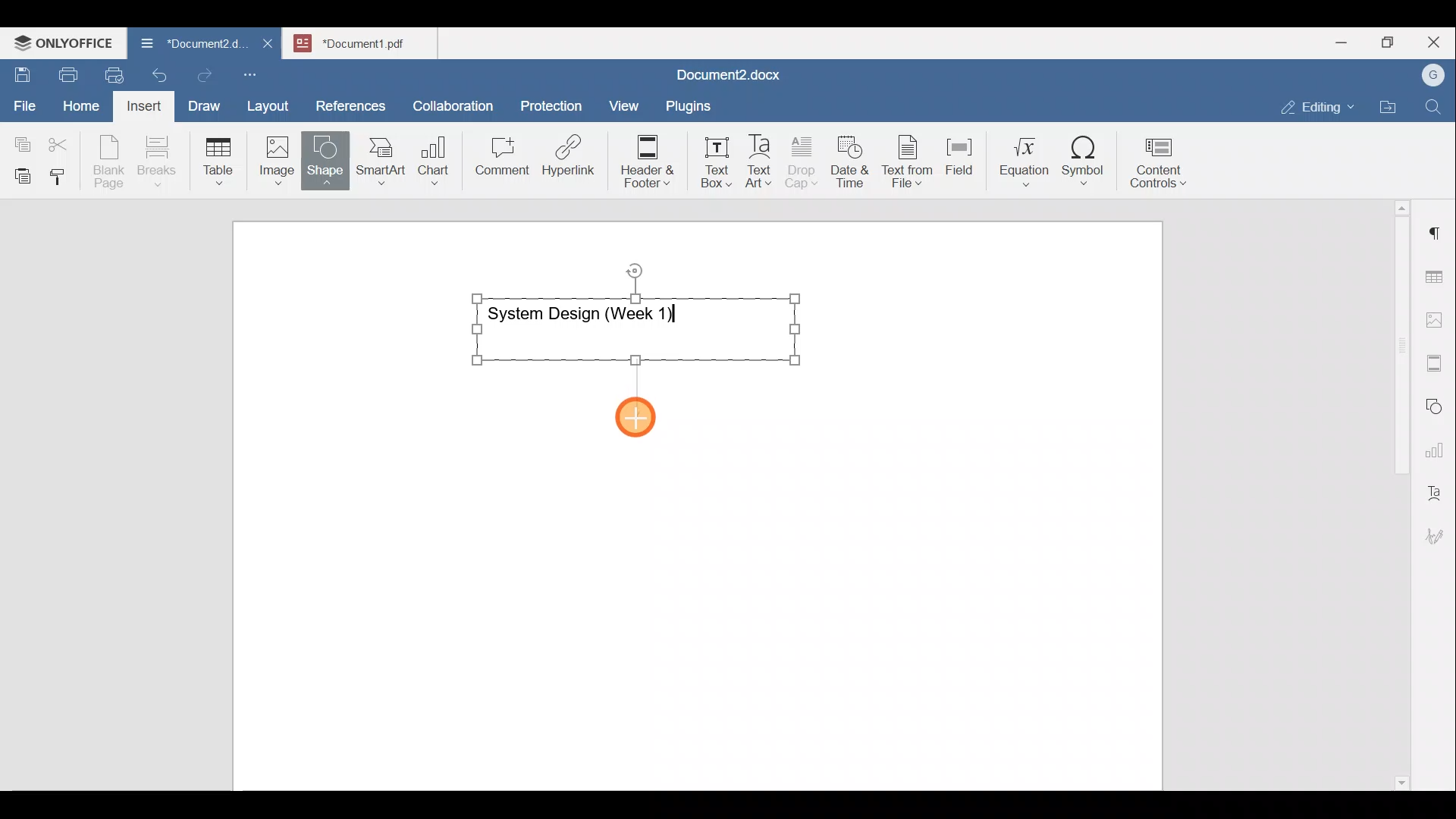 The height and width of the screenshot is (819, 1456). What do you see at coordinates (140, 103) in the screenshot?
I see `Insert` at bounding box center [140, 103].